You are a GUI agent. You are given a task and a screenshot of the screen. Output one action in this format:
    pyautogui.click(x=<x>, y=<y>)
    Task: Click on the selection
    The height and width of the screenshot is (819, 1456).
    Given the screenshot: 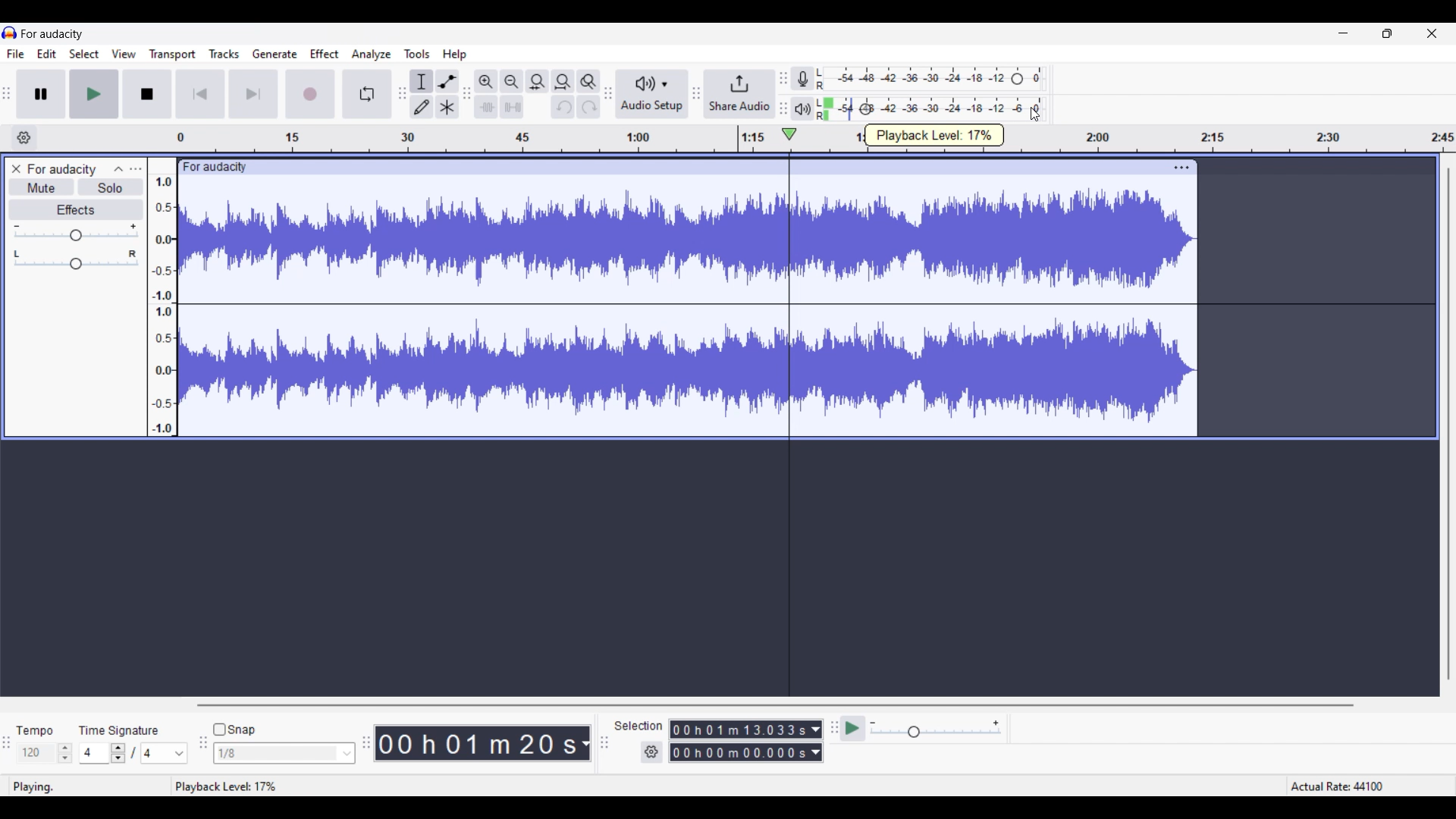 What is the action you would take?
    pyautogui.click(x=639, y=725)
    